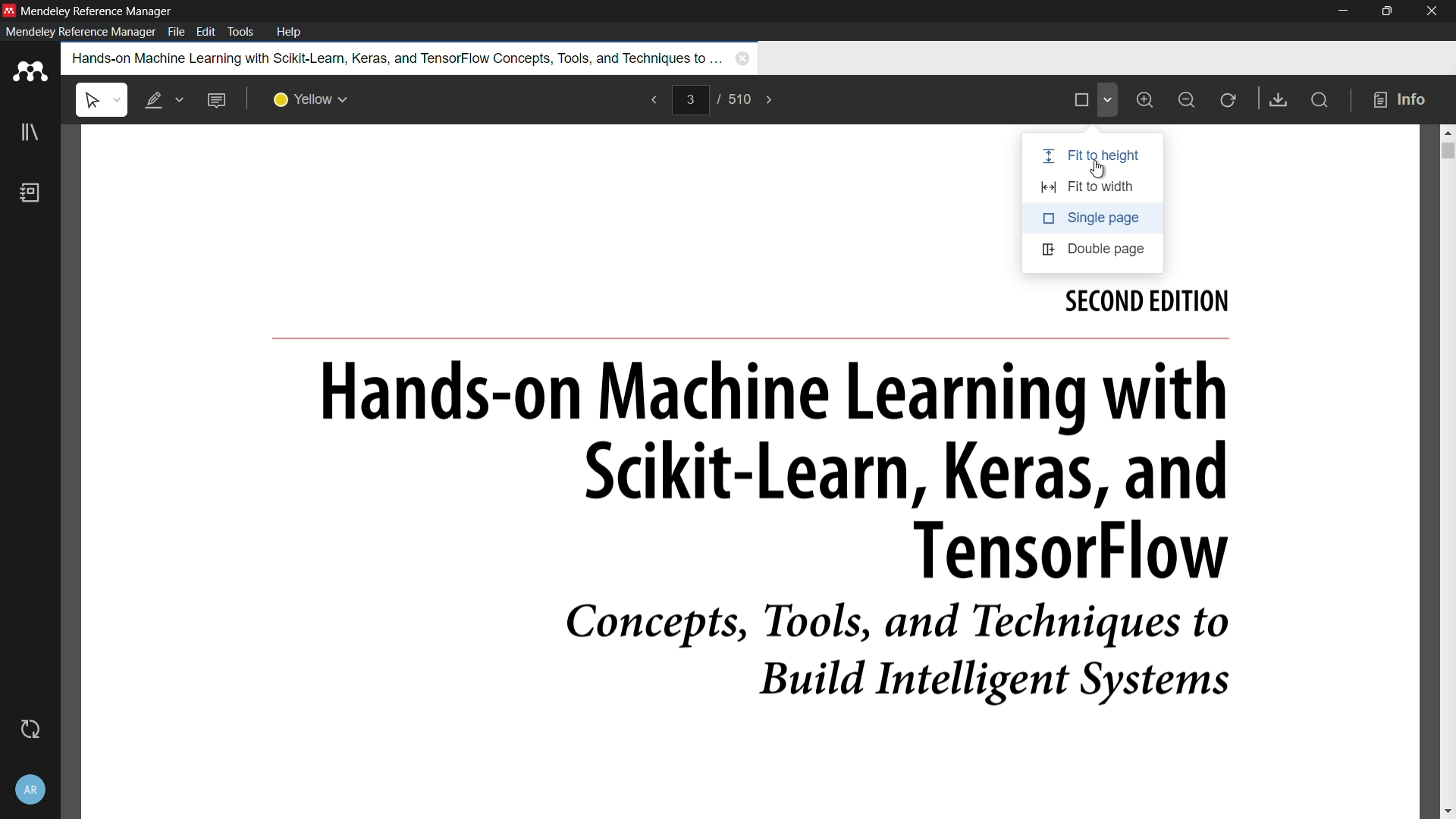 The image size is (1456, 819). What do you see at coordinates (1433, 11) in the screenshot?
I see `close app` at bounding box center [1433, 11].